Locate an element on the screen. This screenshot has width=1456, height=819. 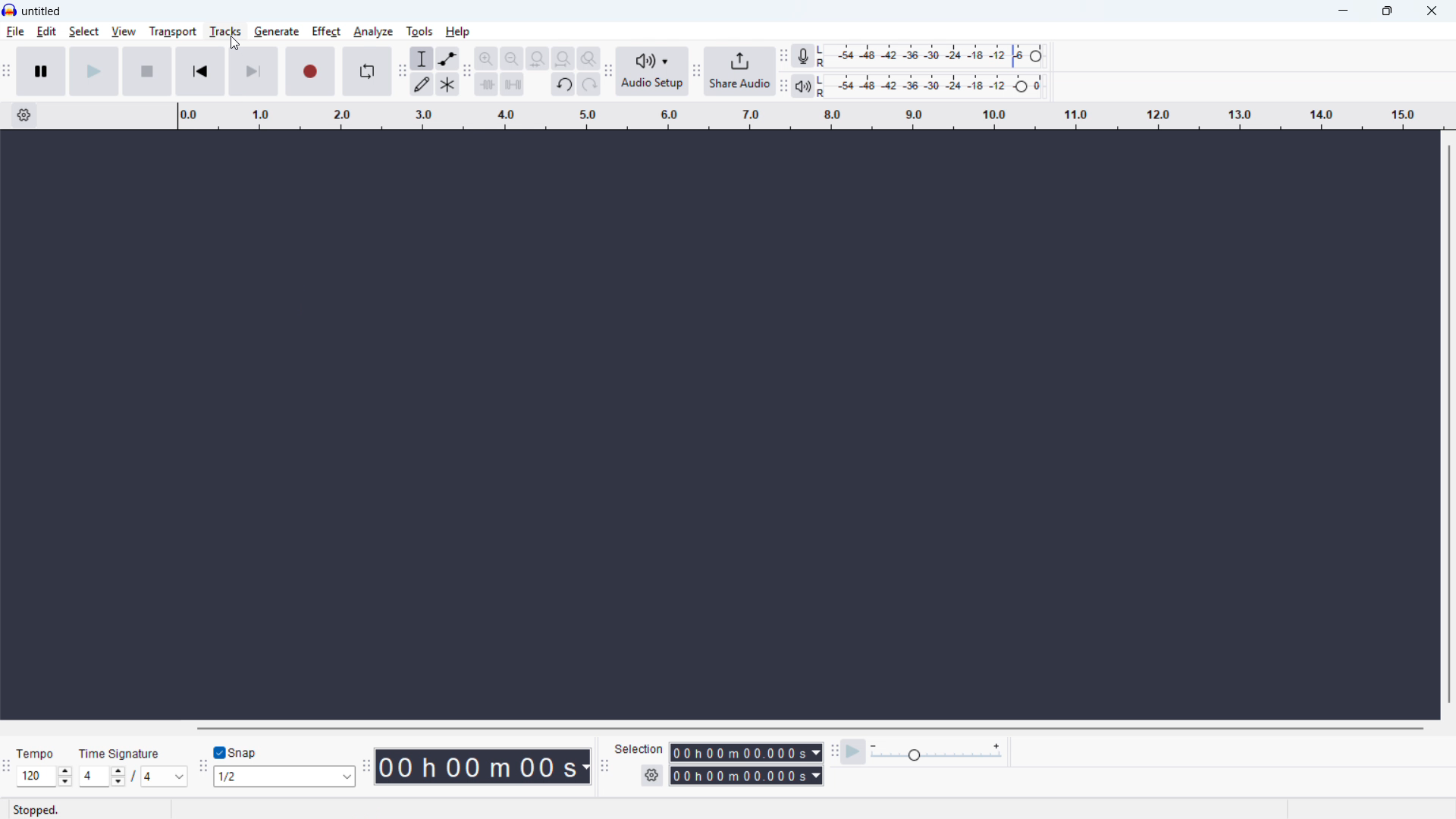
Skip to beginning  is located at coordinates (202, 72).